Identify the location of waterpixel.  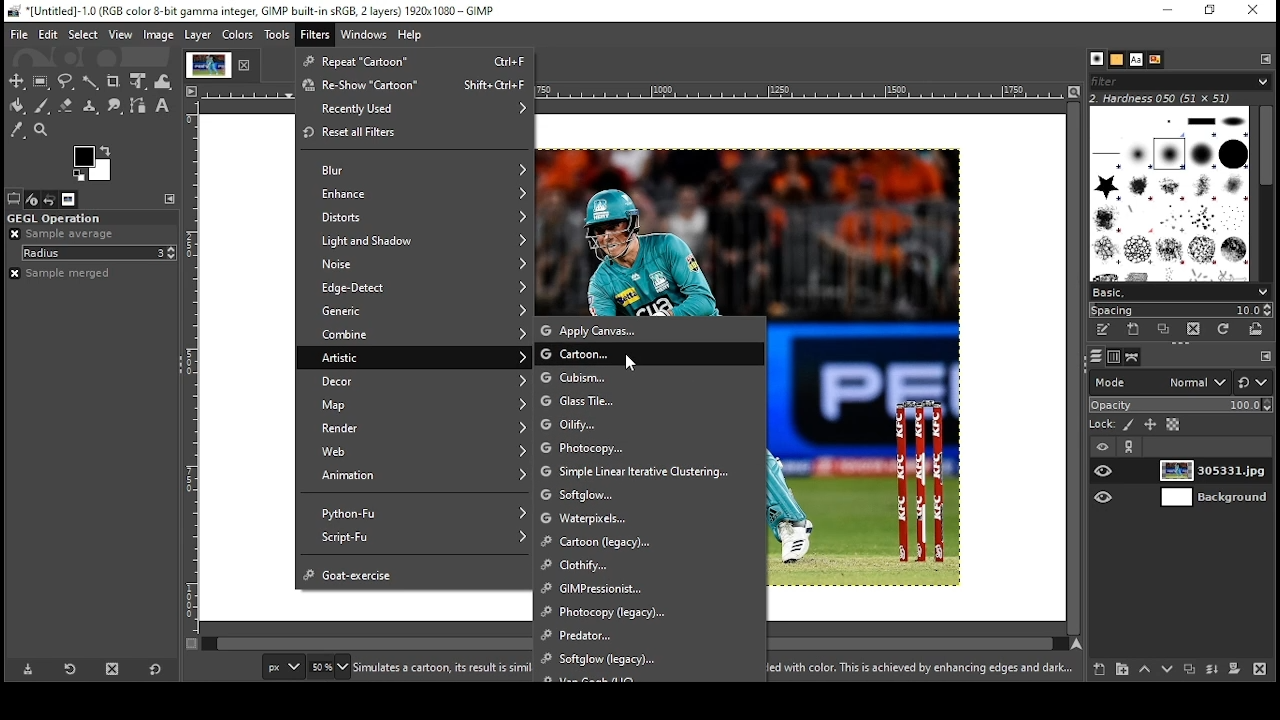
(648, 520).